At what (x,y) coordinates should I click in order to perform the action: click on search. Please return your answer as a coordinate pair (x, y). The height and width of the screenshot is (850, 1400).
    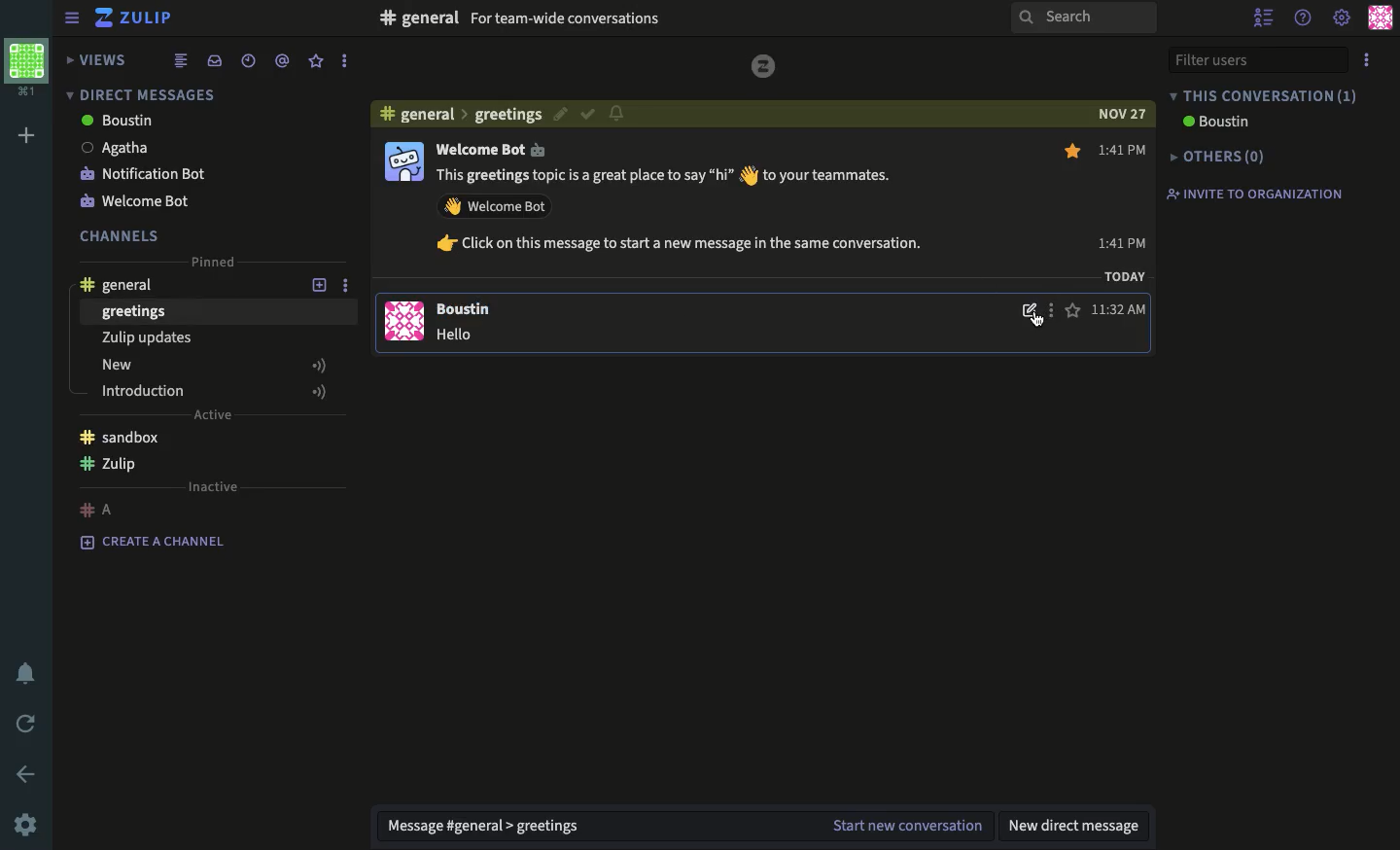
    Looking at the image, I should click on (1082, 17).